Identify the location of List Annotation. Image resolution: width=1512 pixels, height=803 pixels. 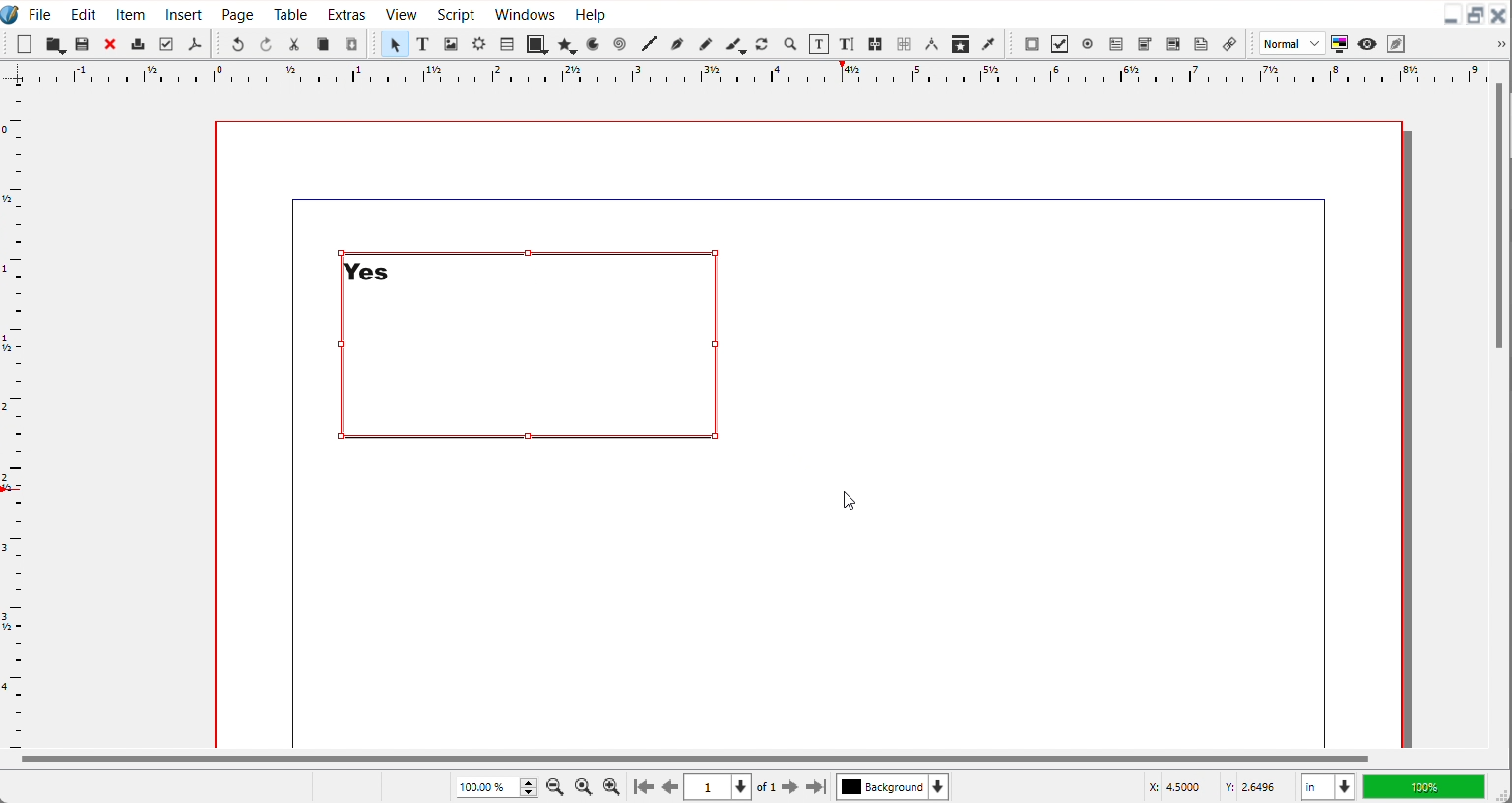
(1228, 43).